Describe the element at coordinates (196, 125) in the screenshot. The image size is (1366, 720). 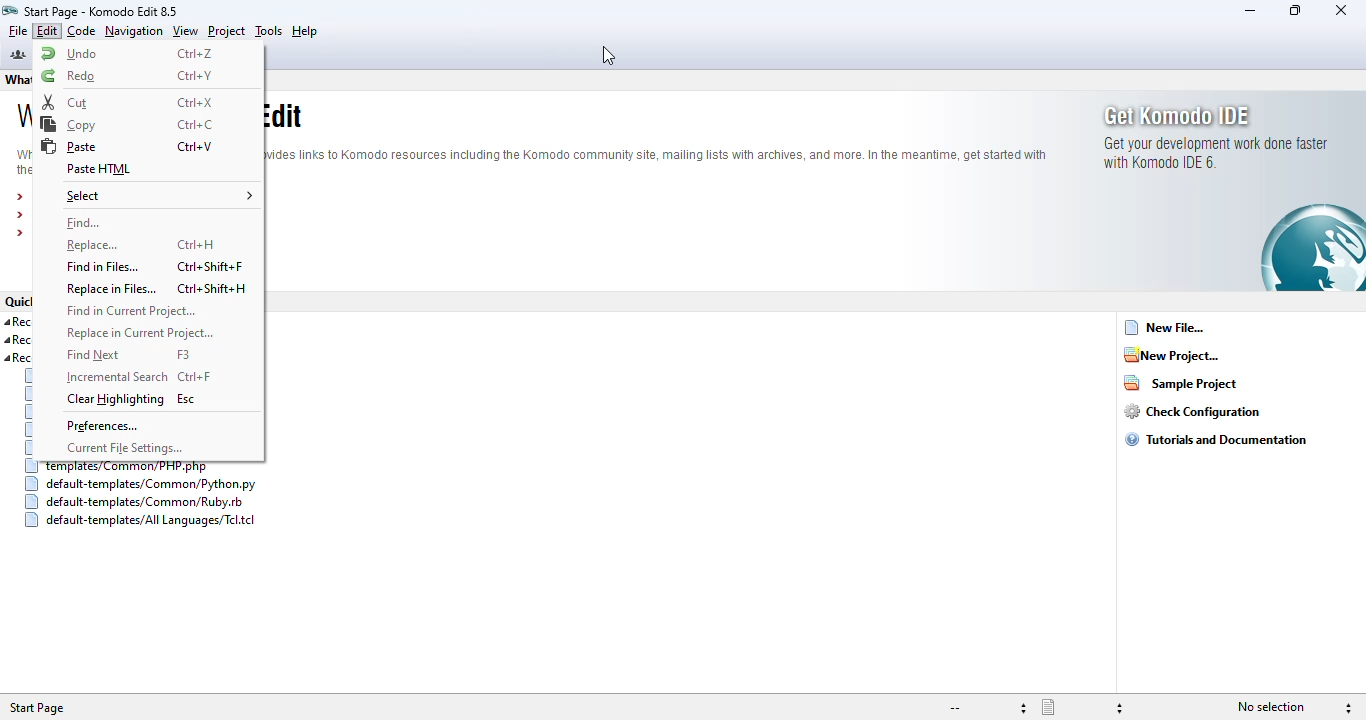
I see `shortcut for copy` at that location.